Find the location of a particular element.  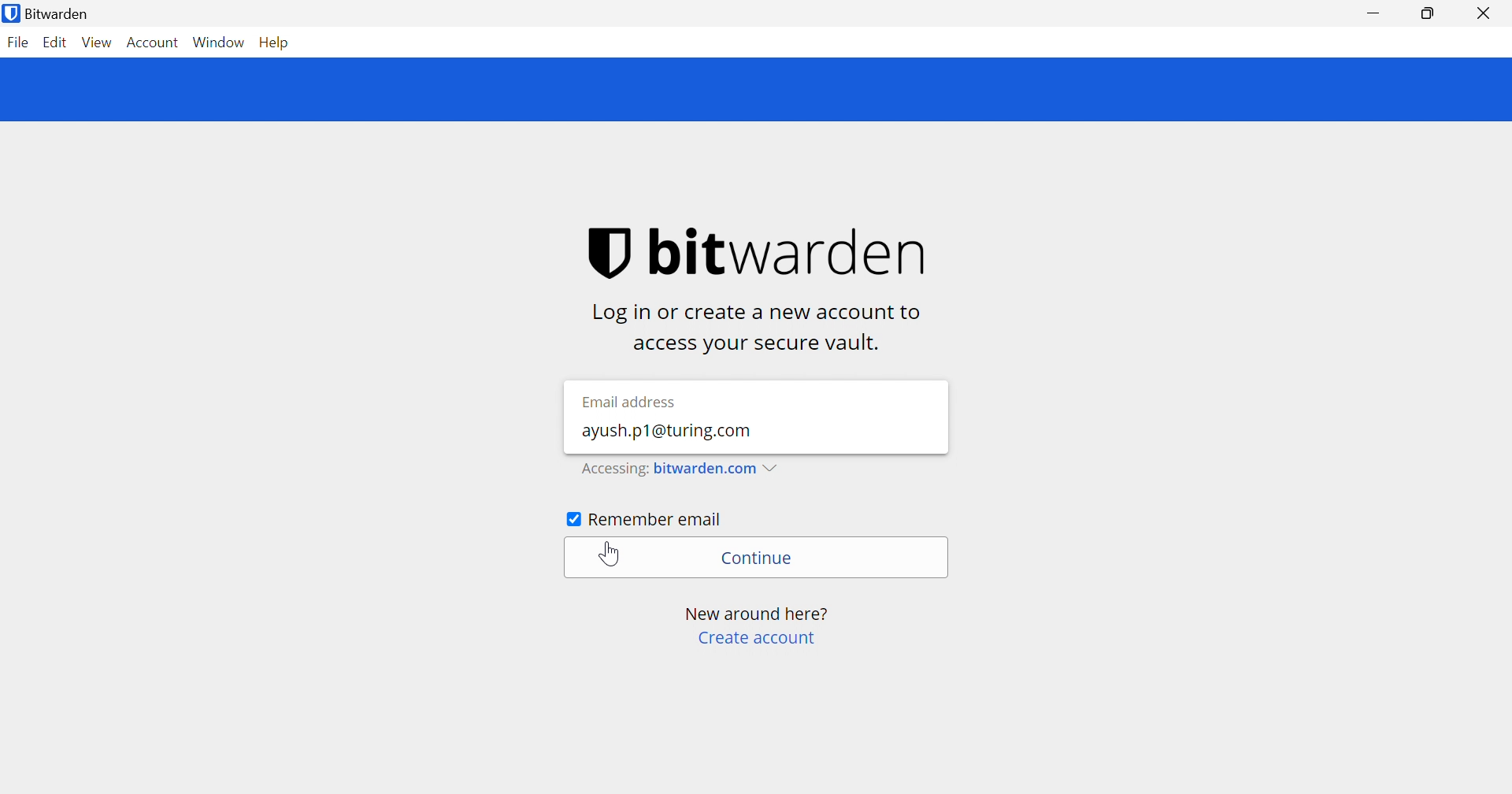

Minimize is located at coordinates (1377, 13).